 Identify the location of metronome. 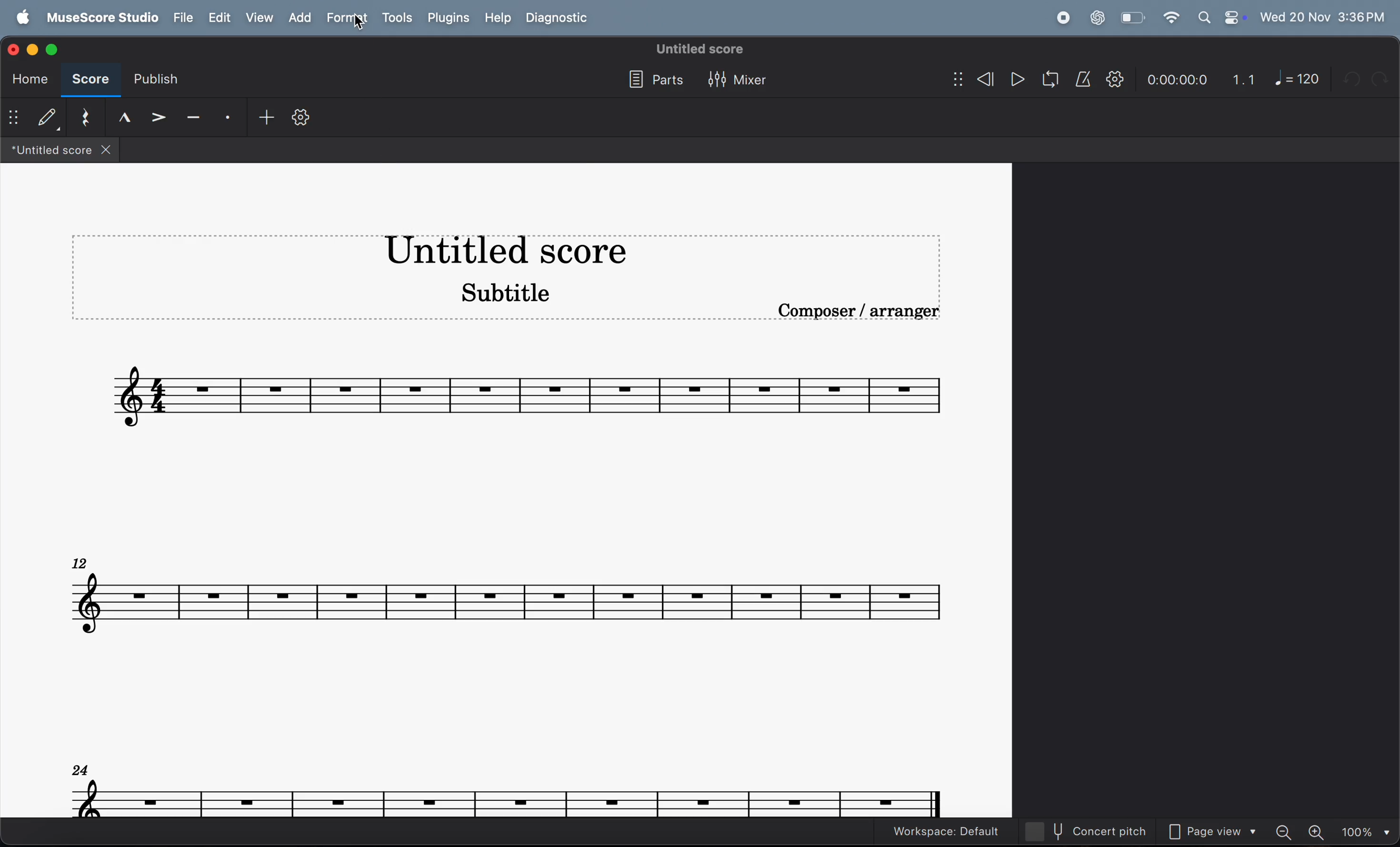
(1085, 80).